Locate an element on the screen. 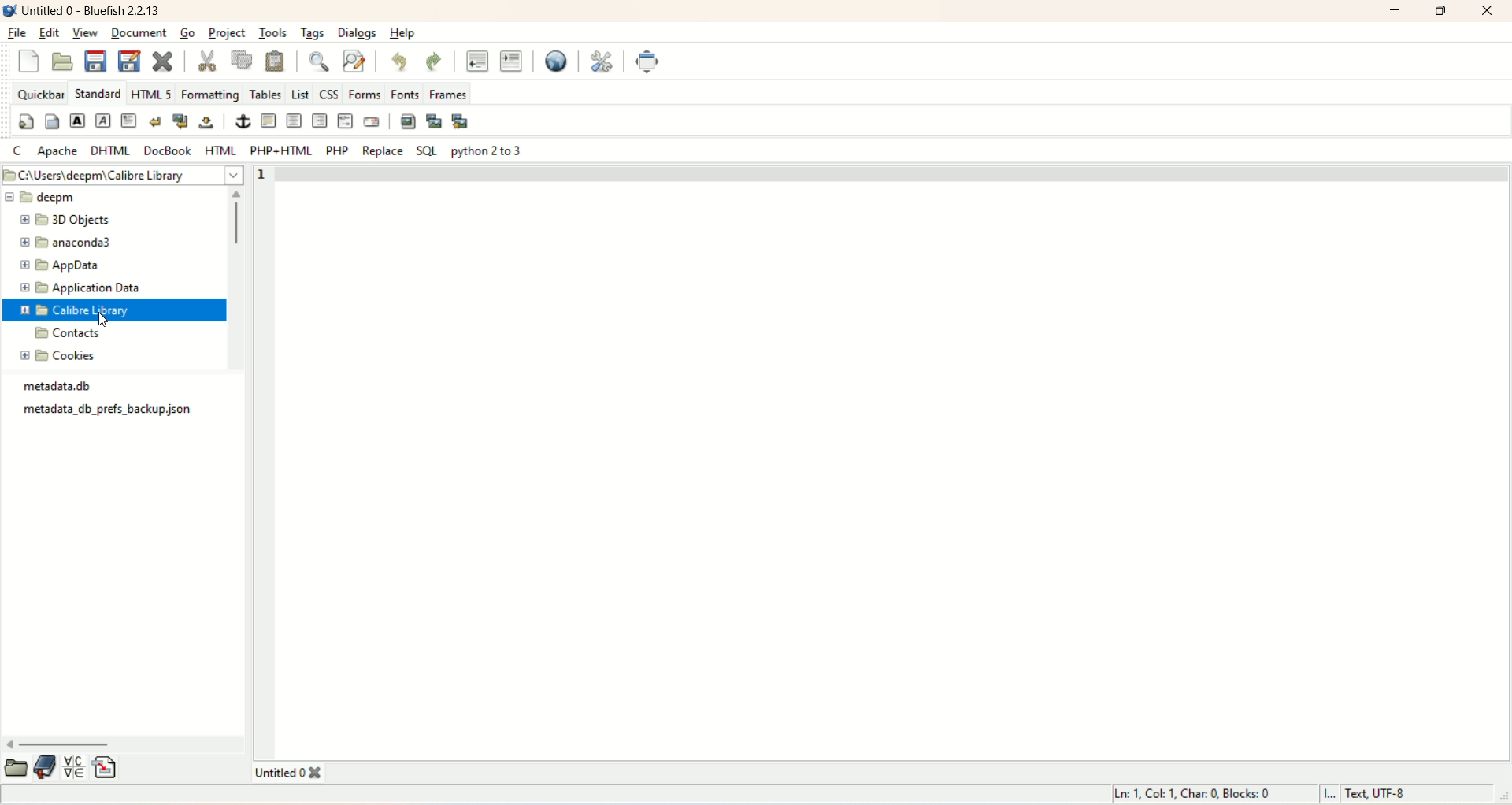 The image size is (1512, 805). preview in browser is located at coordinates (553, 60).